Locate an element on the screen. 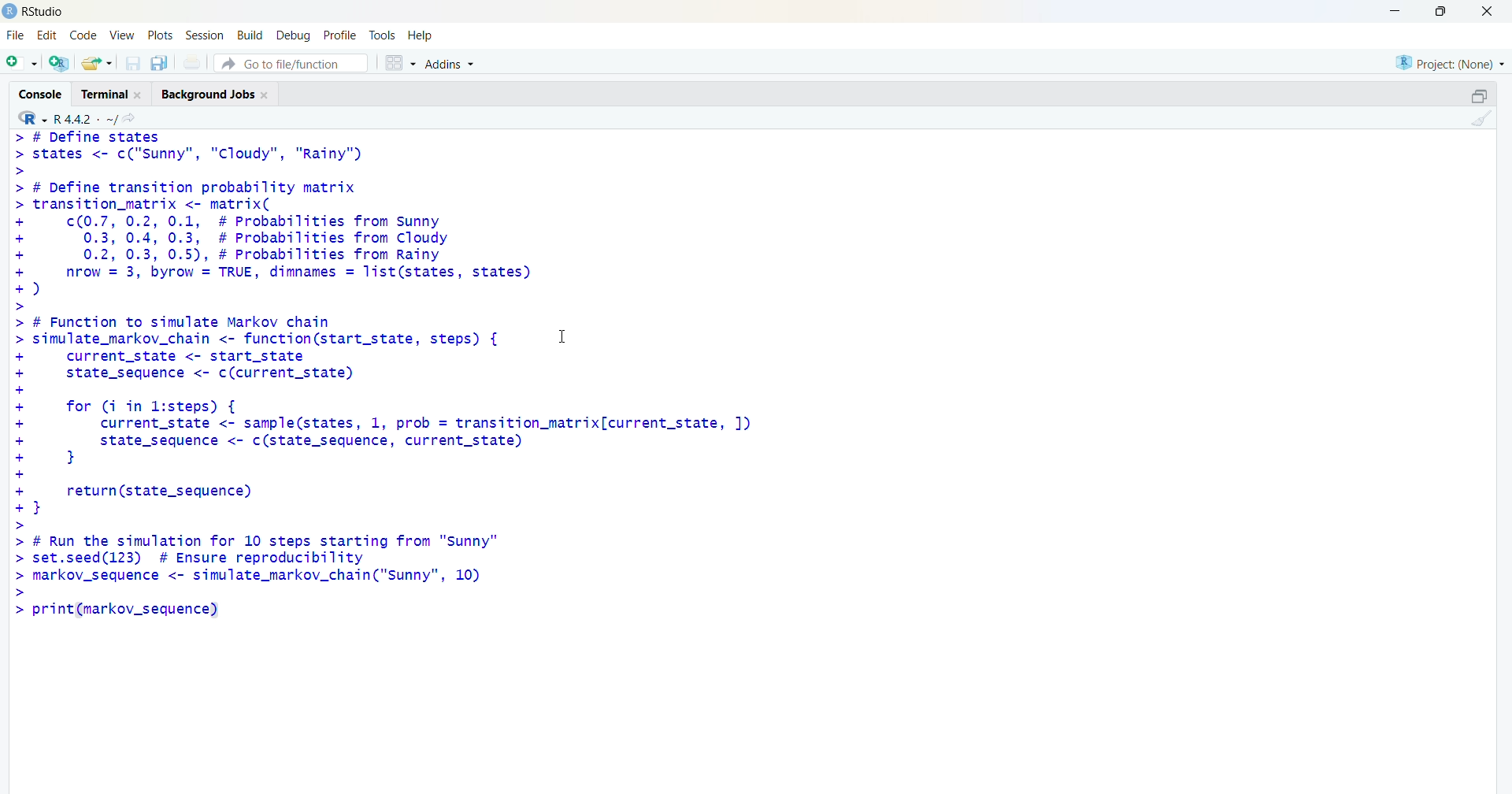  profile is located at coordinates (337, 35).